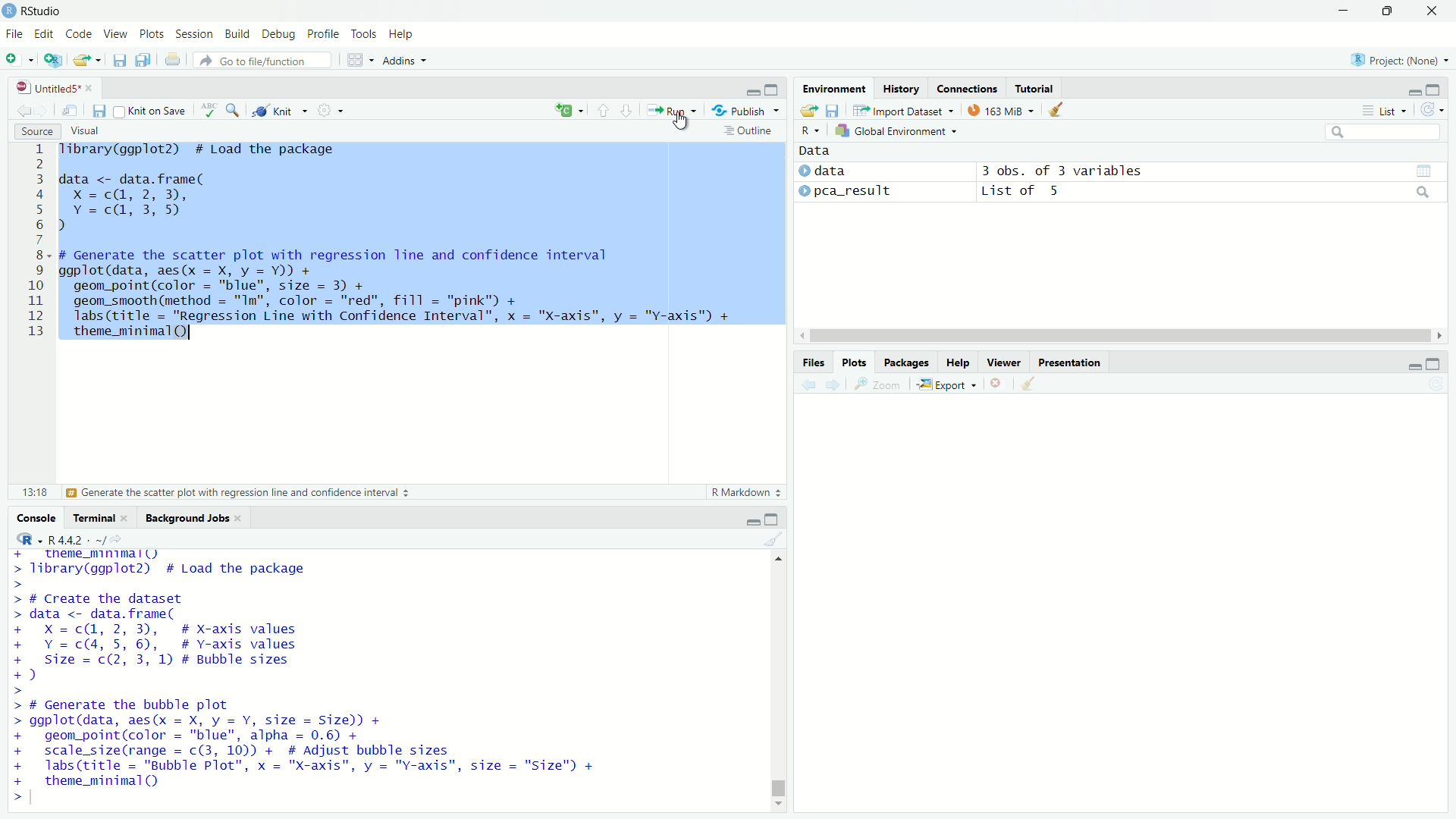 The image size is (1456, 819). What do you see at coordinates (118, 60) in the screenshot?
I see `Save current document` at bounding box center [118, 60].